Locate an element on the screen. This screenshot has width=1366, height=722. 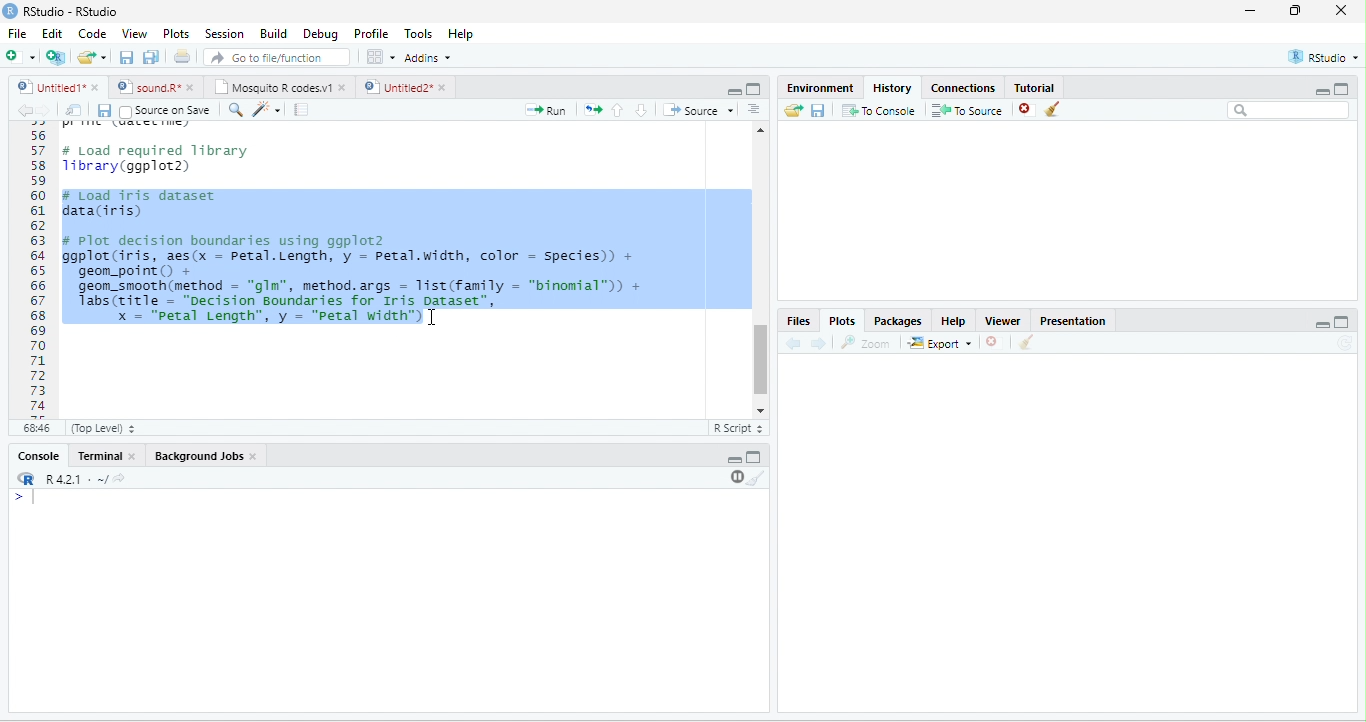
geom_smooth(method = gim , method.args = list(Tamily = binomial )) +
Tabs(title - “Decision Boundaries for Iris Dataset”,
x = "petal Length”, y = "Petal width") is located at coordinates (368, 305).